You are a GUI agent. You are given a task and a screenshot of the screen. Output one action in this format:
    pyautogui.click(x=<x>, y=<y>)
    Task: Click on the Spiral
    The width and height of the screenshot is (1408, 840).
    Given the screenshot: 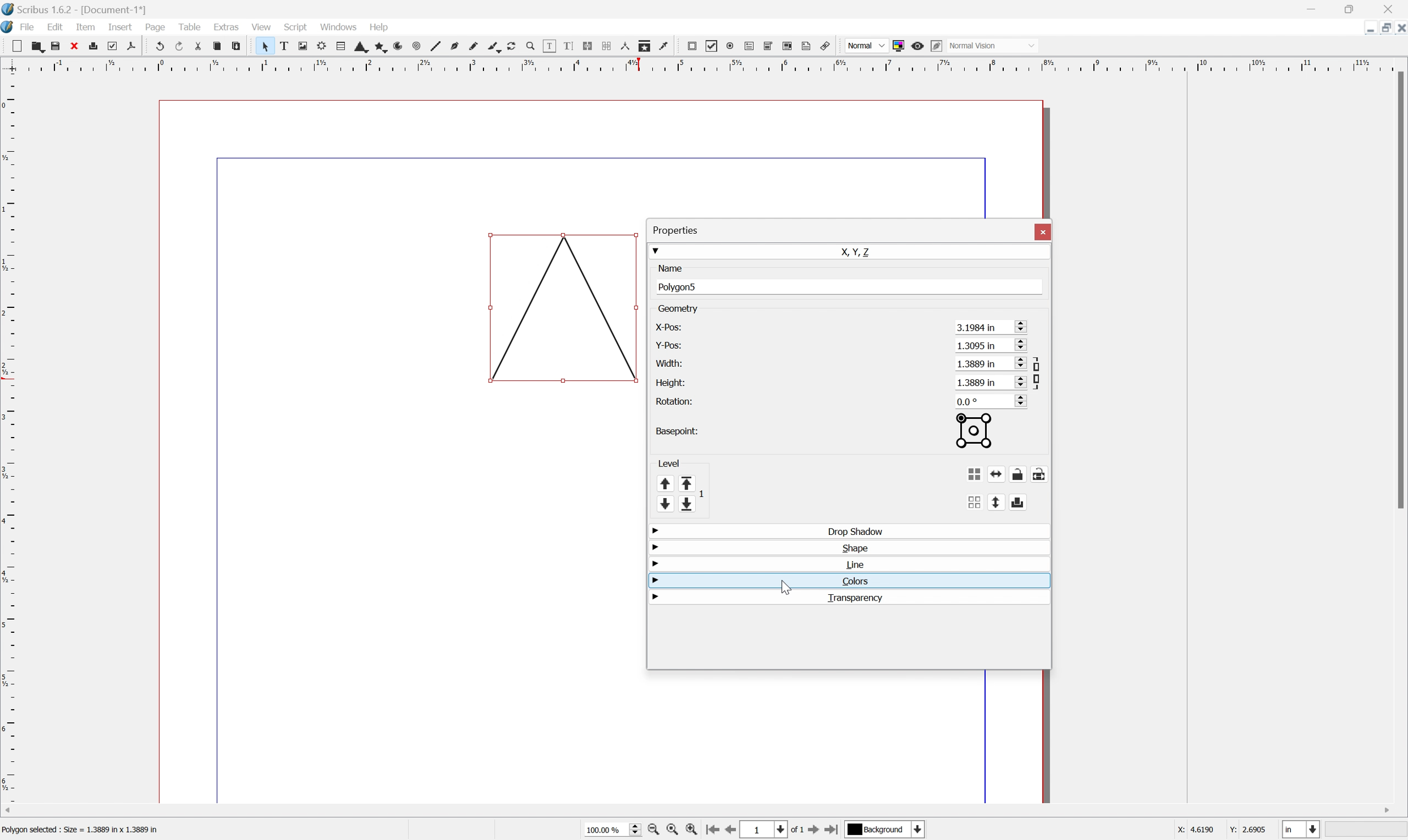 What is the action you would take?
    pyautogui.click(x=414, y=46)
    